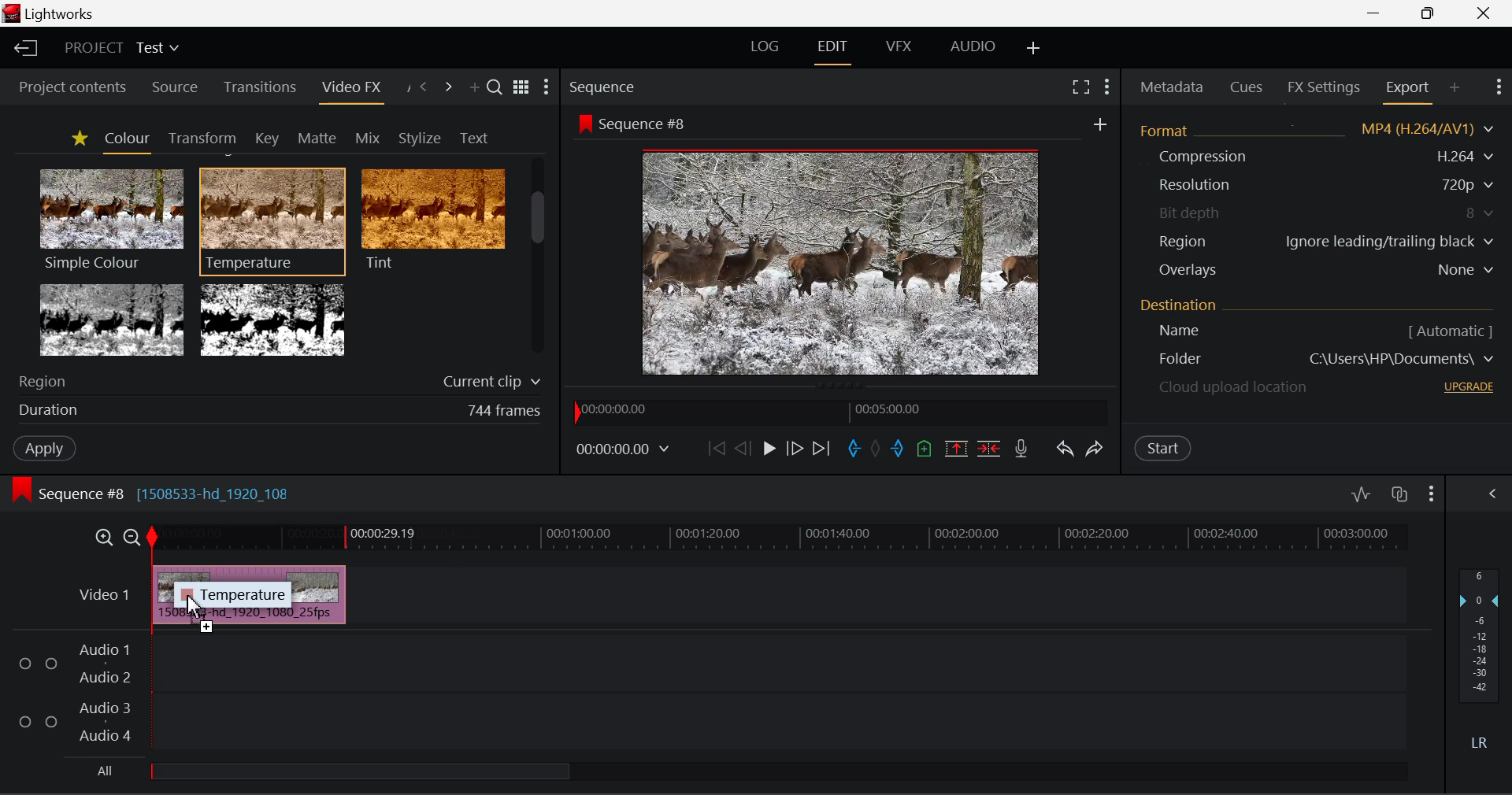 The width and height of the screenshot is (1512, 795). What do you see at coordinates (991, 449) in the screenshot?
I see `Delte/Cut` at bounding box center [991, 449].